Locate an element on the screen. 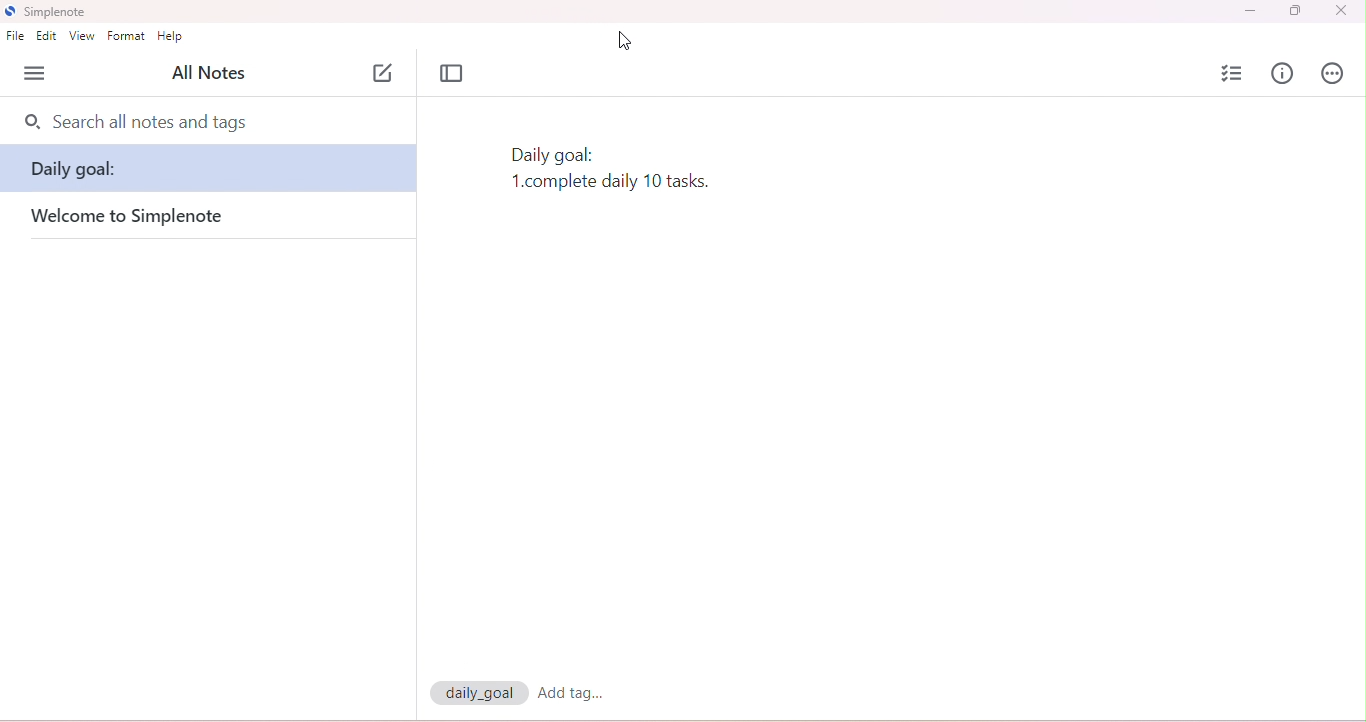  cursor movement is located at coordinates (624, 39).